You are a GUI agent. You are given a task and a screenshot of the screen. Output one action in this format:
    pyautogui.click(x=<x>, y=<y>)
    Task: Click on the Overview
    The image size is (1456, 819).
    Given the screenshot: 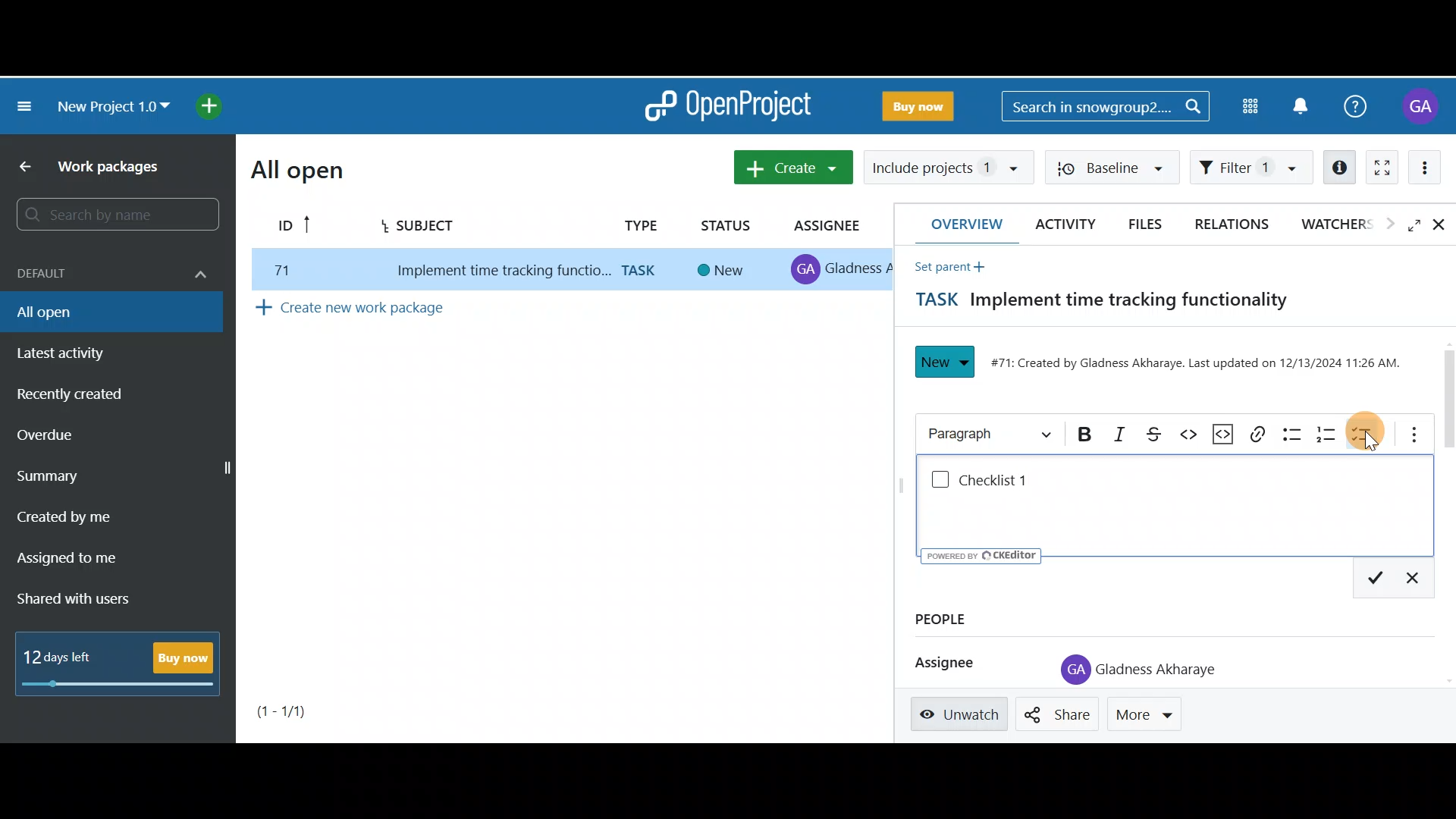 What is the action you would take?
    pyautogui.click(x=960, y=224)
    